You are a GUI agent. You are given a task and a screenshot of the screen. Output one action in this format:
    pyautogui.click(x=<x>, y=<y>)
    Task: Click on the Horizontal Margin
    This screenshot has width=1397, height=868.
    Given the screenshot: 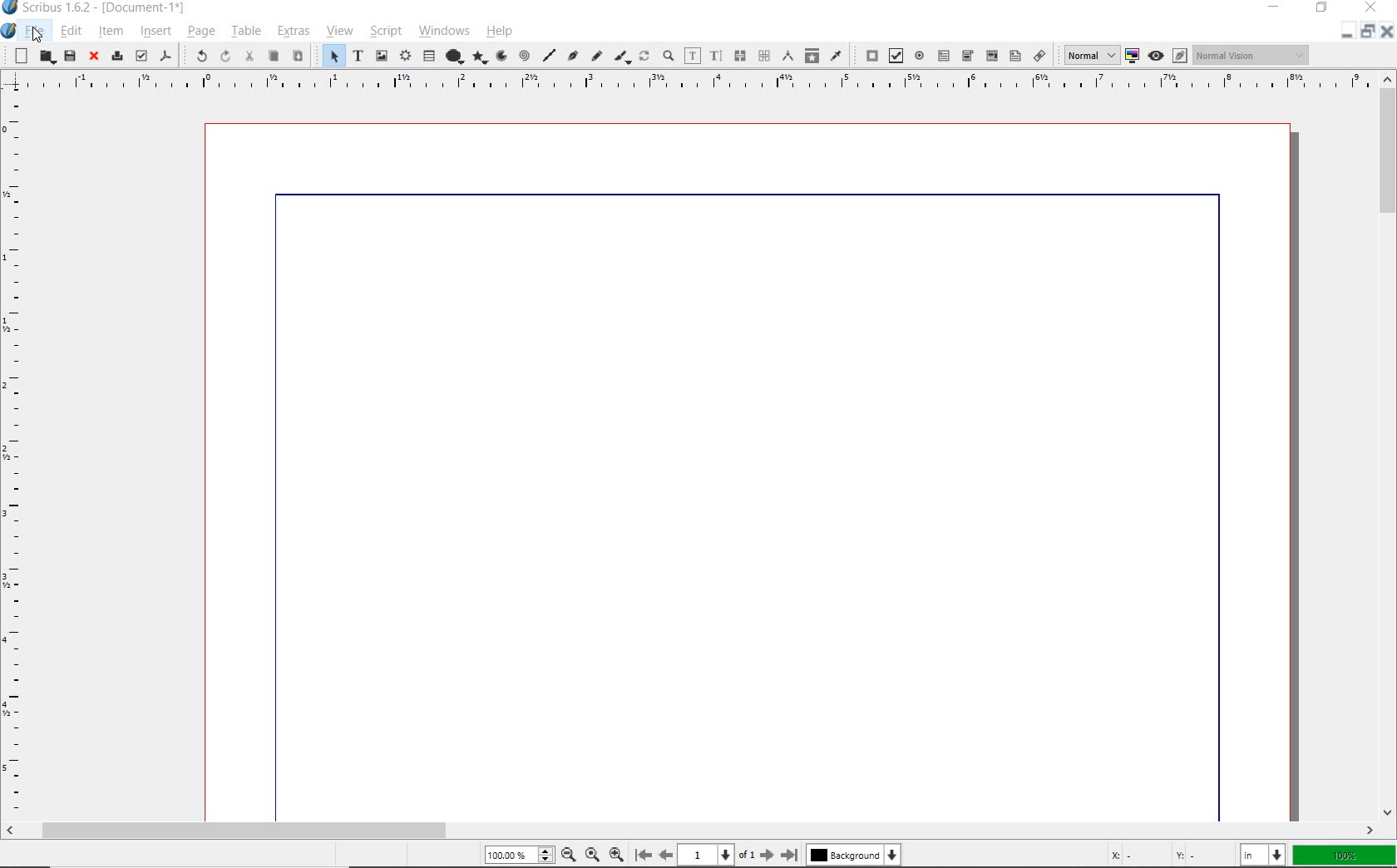 What is the action you would take?
    pyautogui.click(x=687, y=84)
    